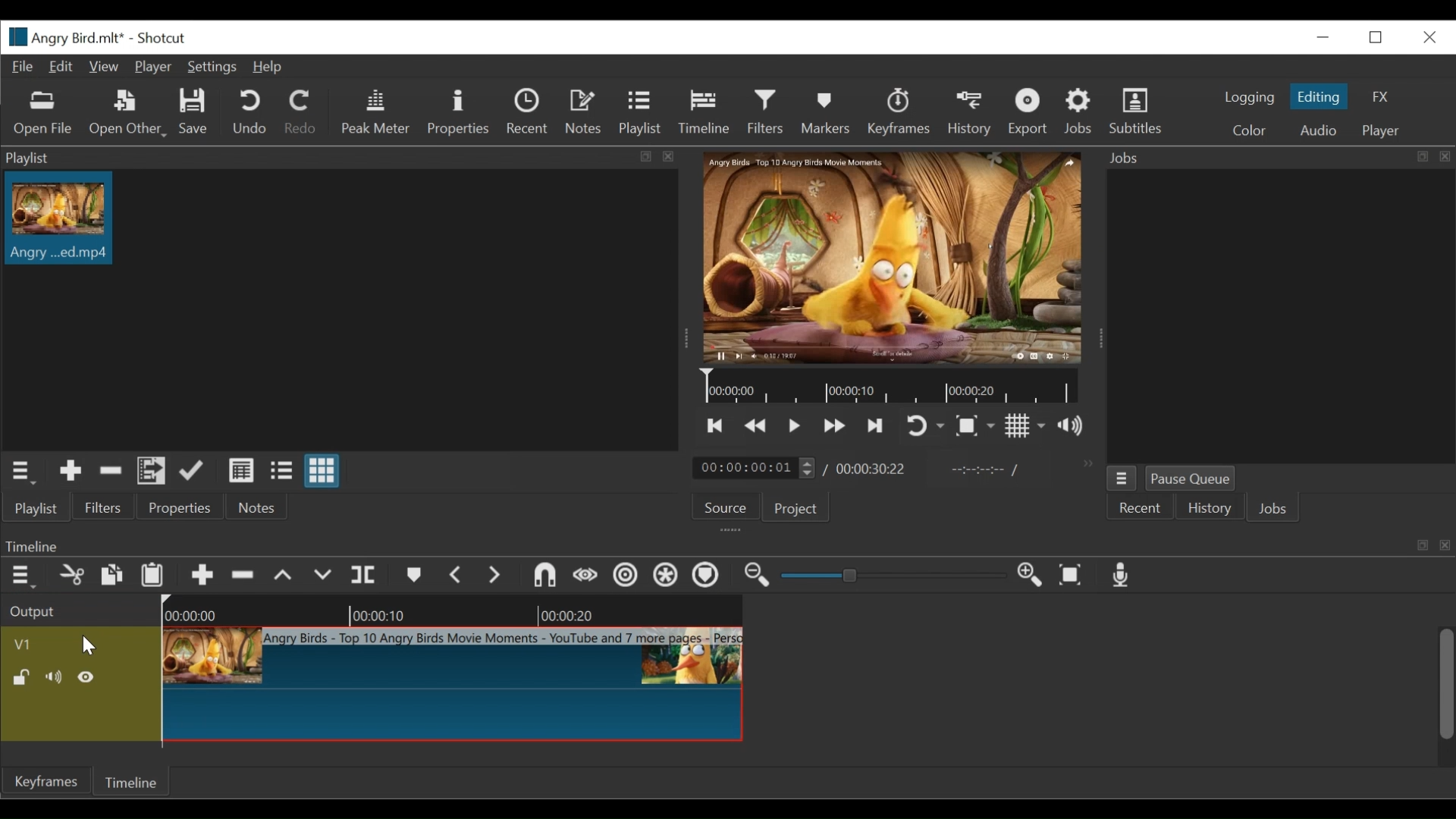 This screenshot has width=1456, height=819. What do you see at coordinates (829, 114) in the screenshot?
I see `Markers` at bounding box center [829, 114].